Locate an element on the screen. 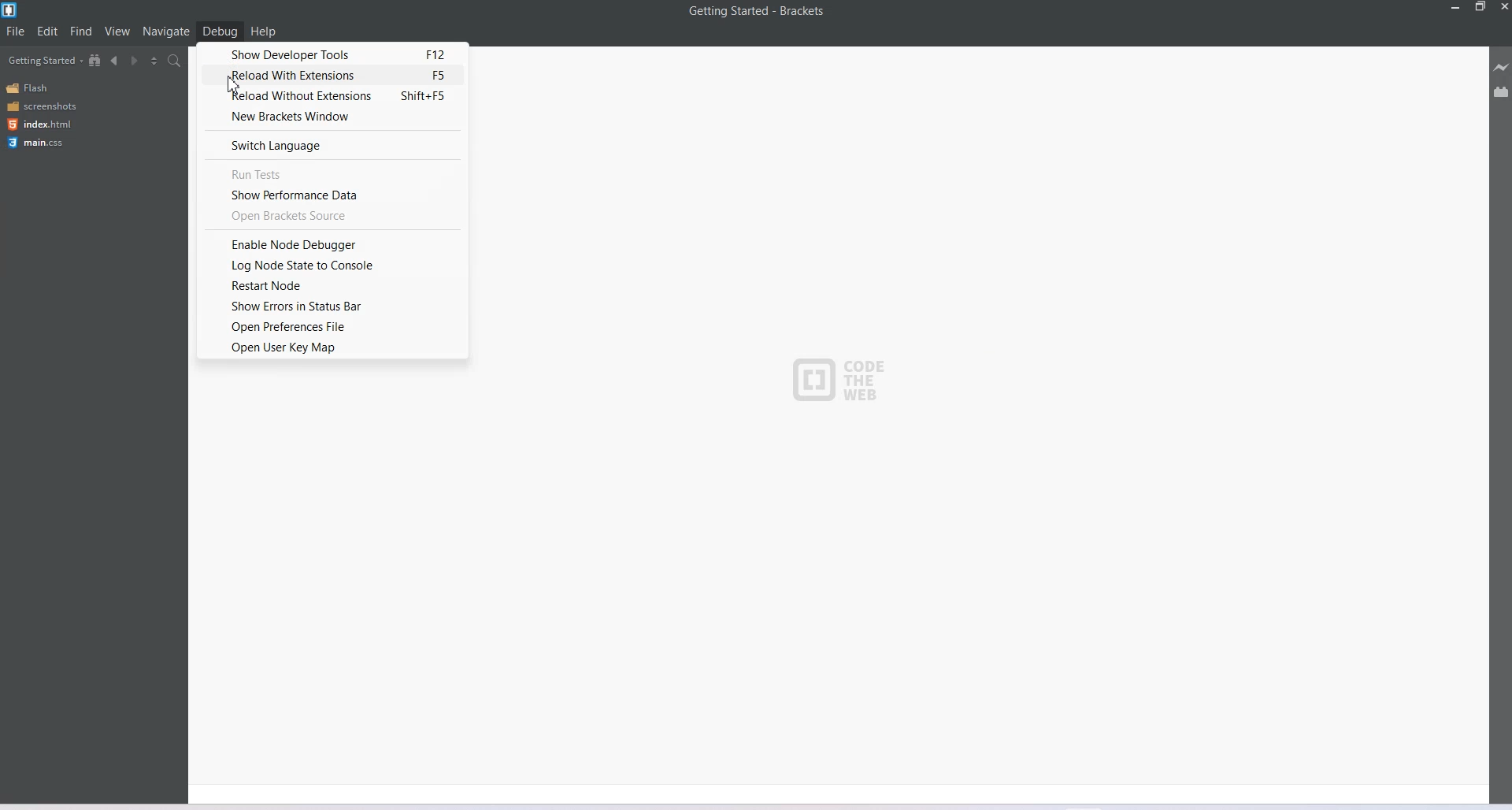 The height and width of the screenshot is (810, 1512). Screenshots is located at coordinates (41, 106).